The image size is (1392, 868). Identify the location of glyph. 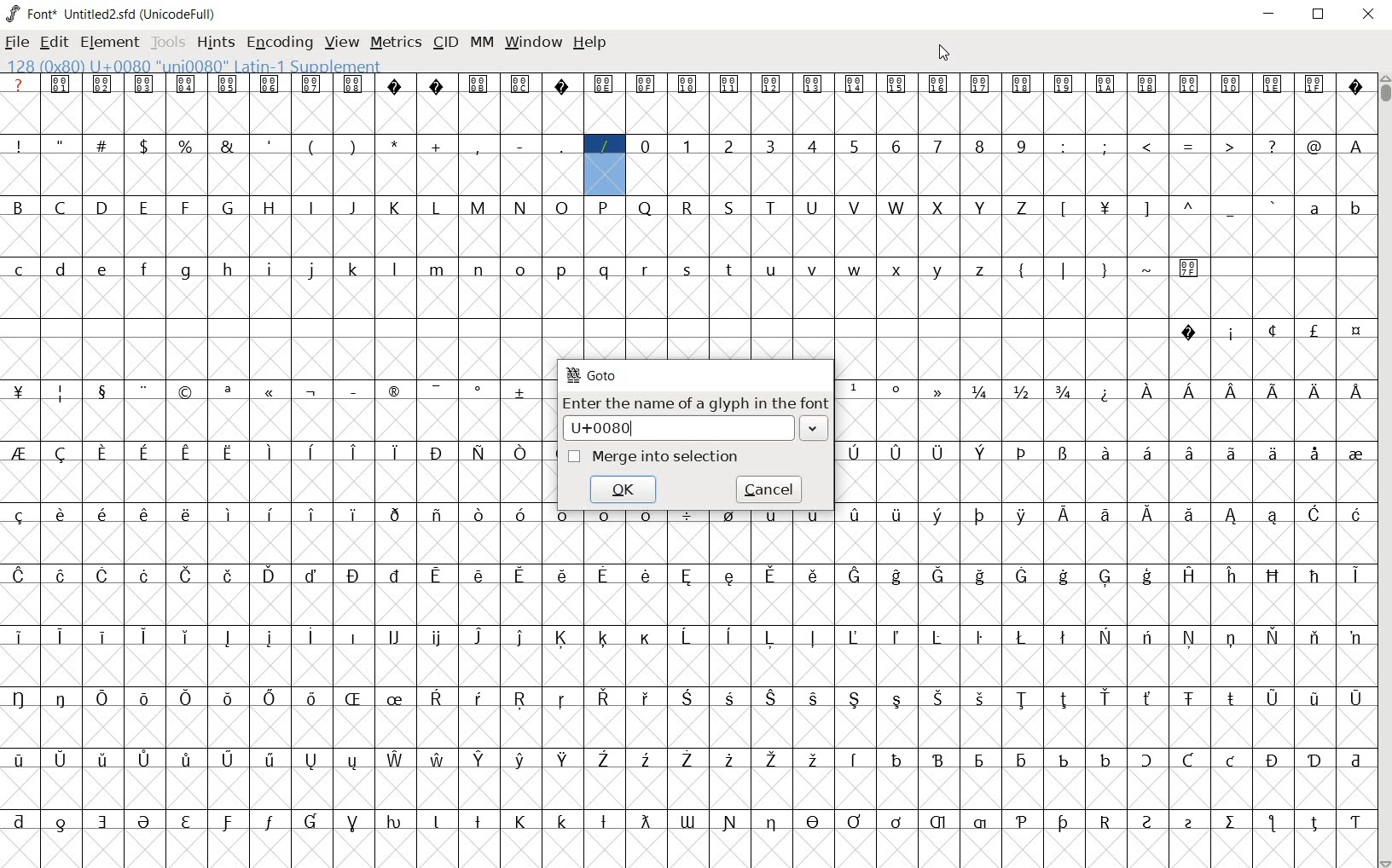
(1189, 637).